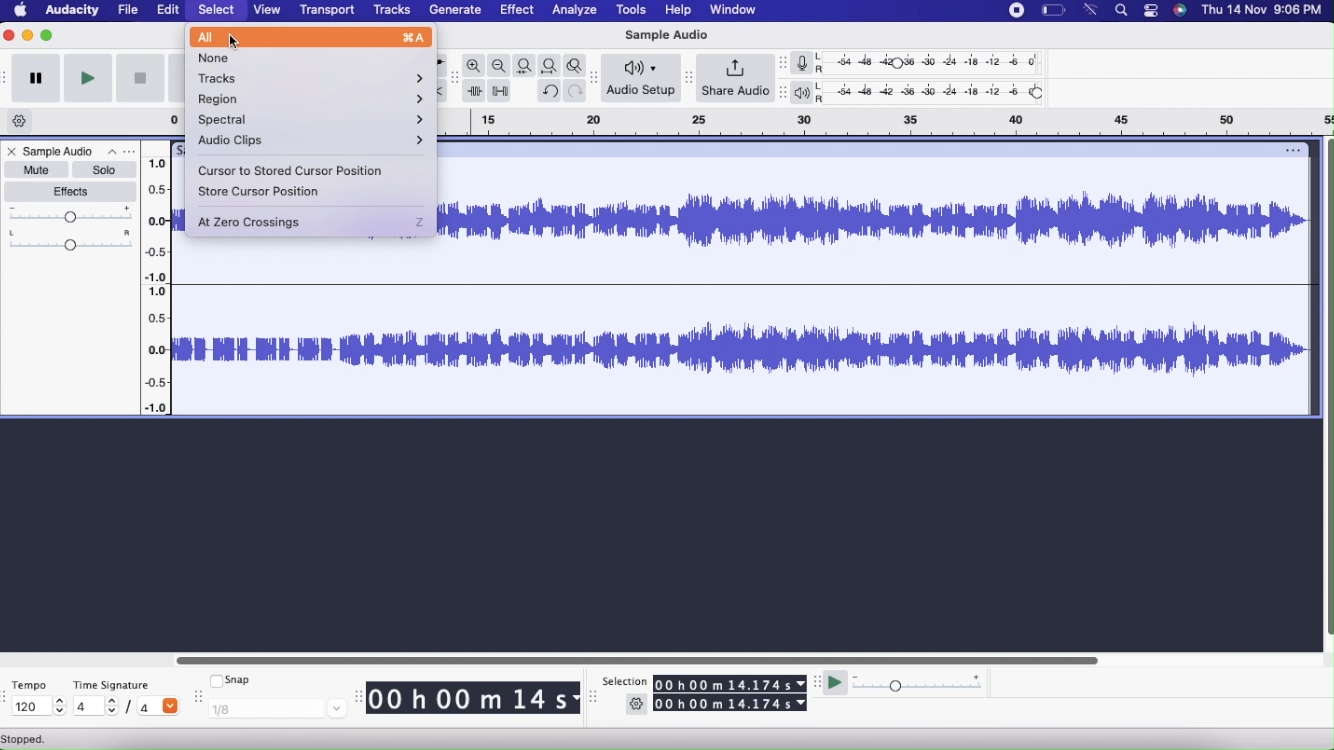 This screenshot has height=750, width=1334. What do you see at coordinates (641, 77) in the screenshot?
I see `Audio Setup` at bounding box center [641, 77].